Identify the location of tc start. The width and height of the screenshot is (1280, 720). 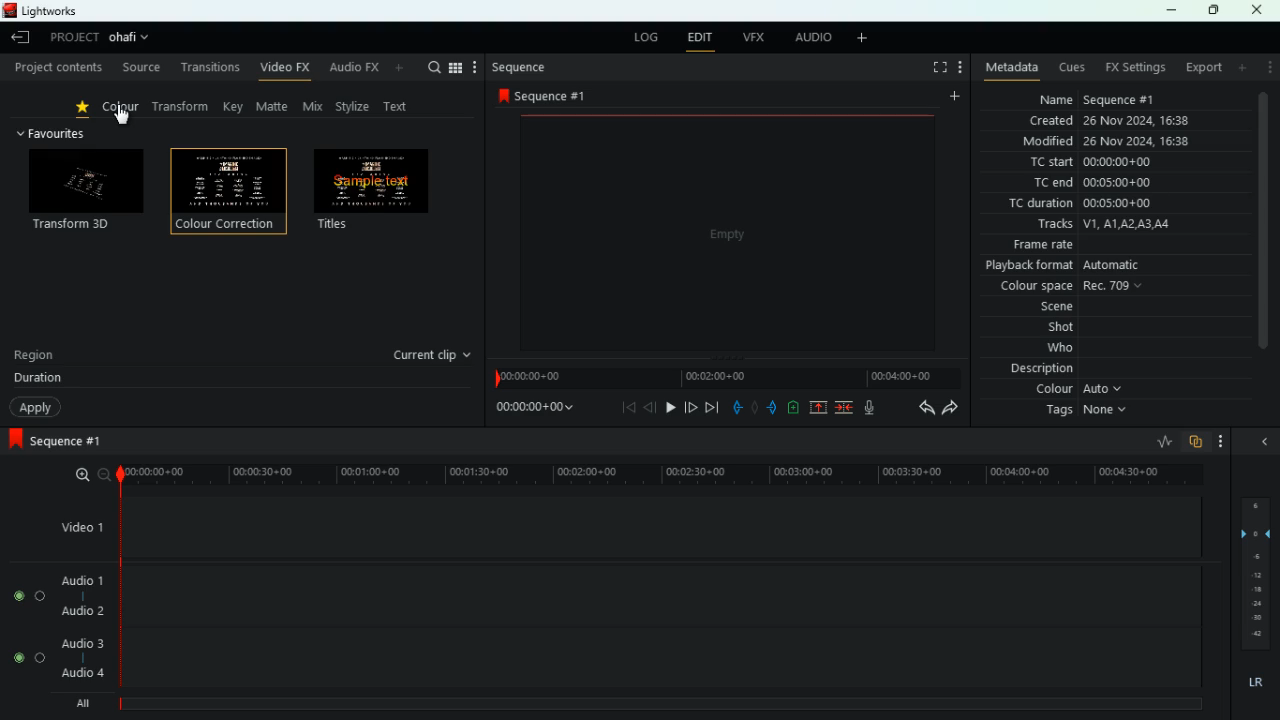
(1109, 163).